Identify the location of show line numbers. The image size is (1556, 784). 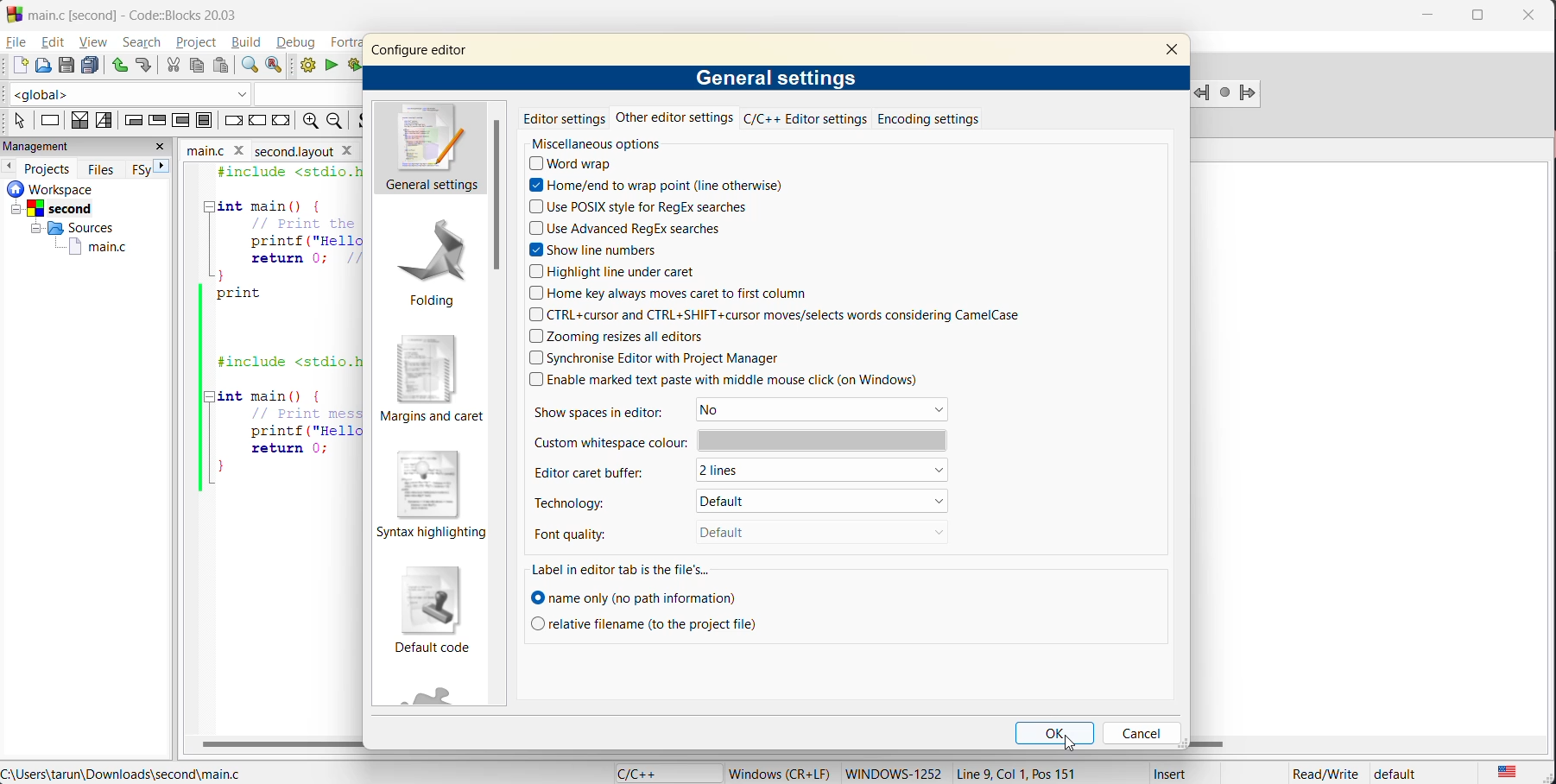
(601, 250).